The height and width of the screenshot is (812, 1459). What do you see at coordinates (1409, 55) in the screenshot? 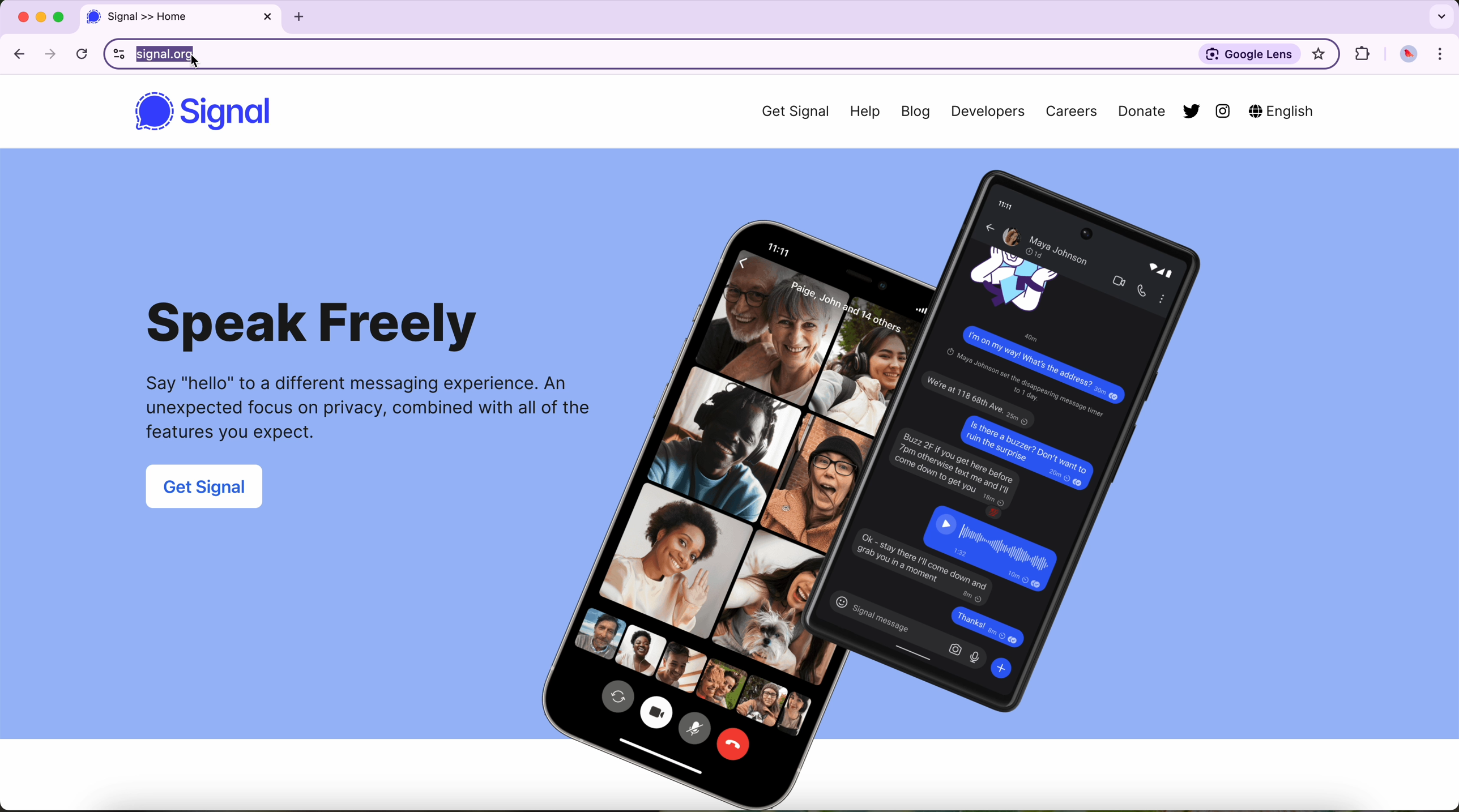
I see `profile picture` at bounding box center [1409, 55].